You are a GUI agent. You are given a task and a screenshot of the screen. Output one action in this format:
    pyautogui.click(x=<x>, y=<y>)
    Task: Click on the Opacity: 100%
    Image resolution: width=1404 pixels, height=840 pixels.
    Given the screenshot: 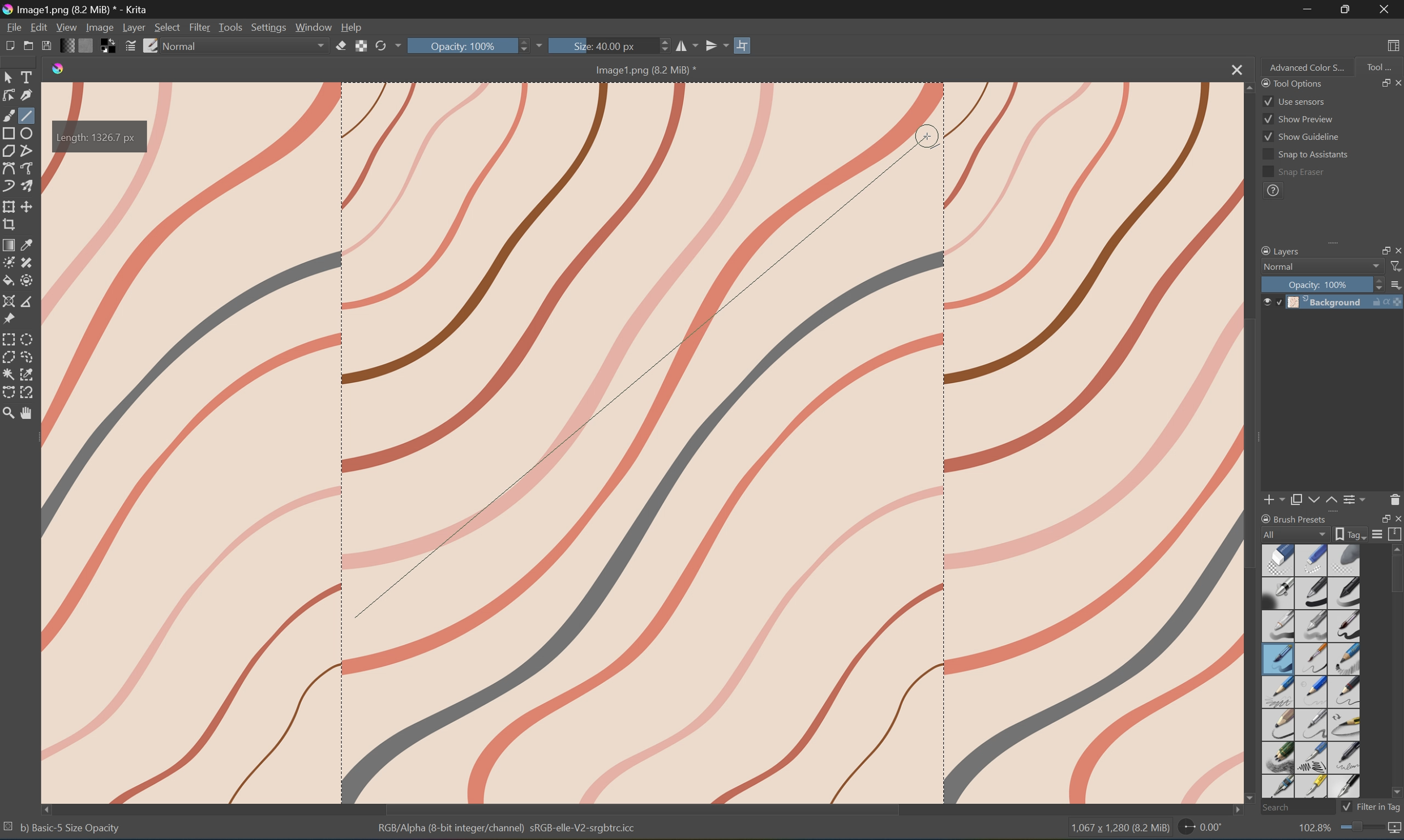 What is the action you would take?
    pyautogui.click(x=469, y=46)
    